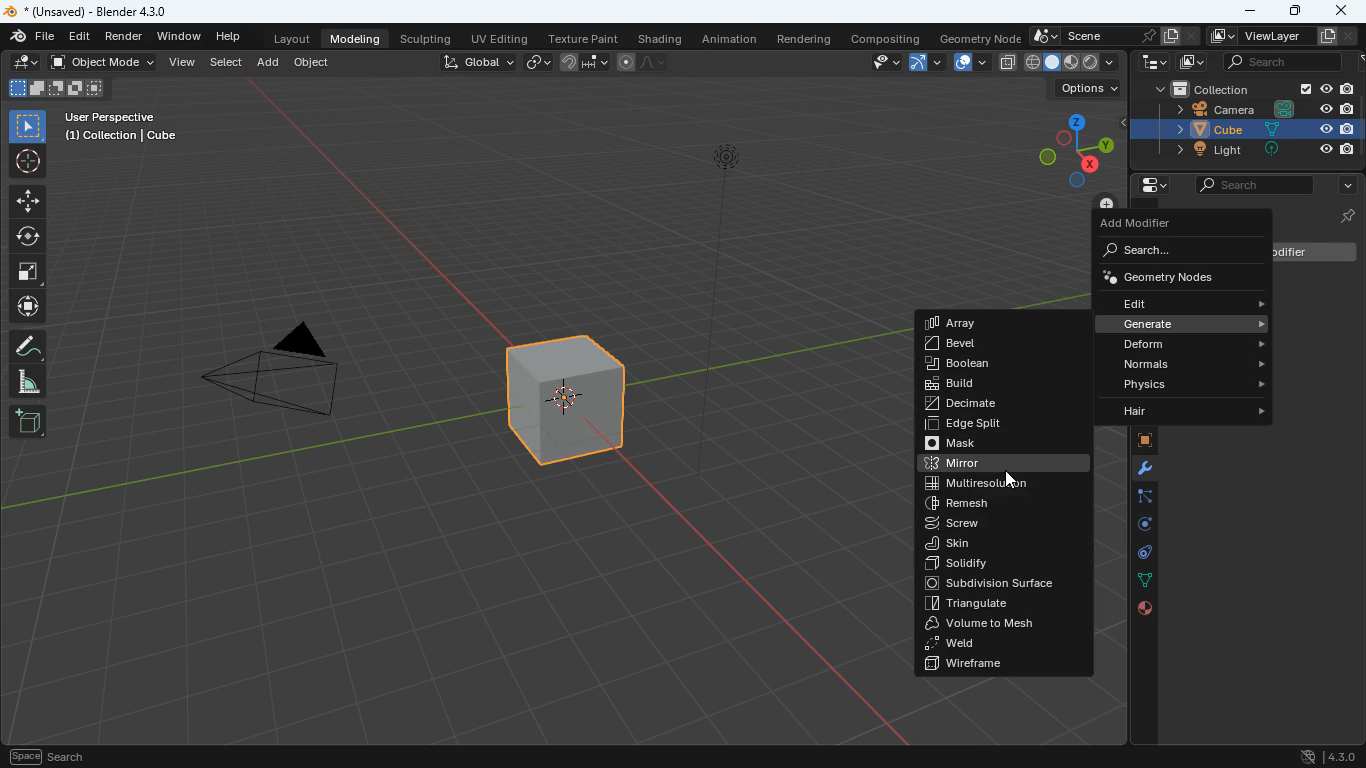  What do you see at coordinates (995, 484) in the screenshot?
I see `multiresolution` at bounding box center [995, 484].